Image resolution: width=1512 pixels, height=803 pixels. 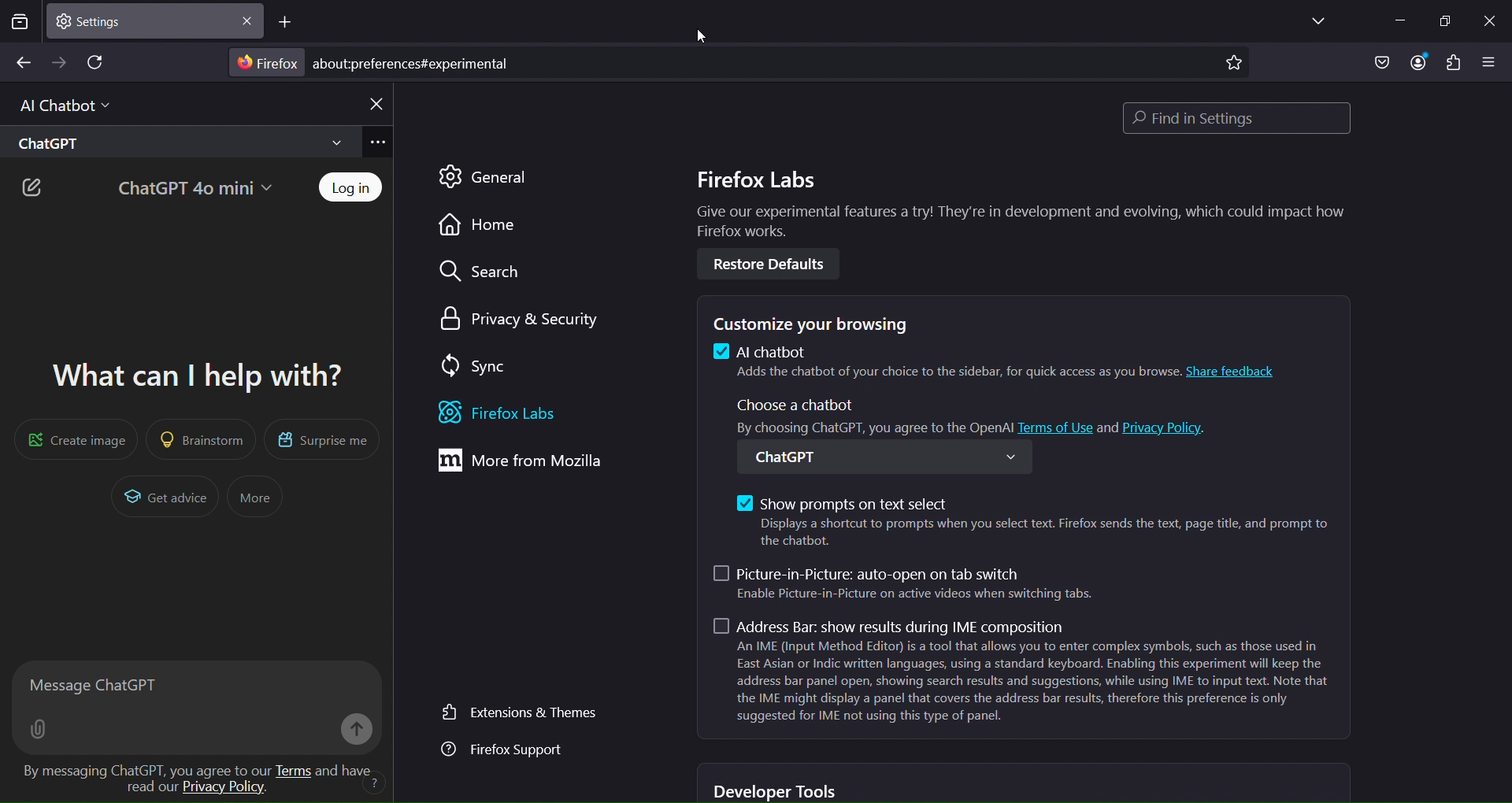 I want to click on about:preferences#experimental, so click(x=417, y=63).